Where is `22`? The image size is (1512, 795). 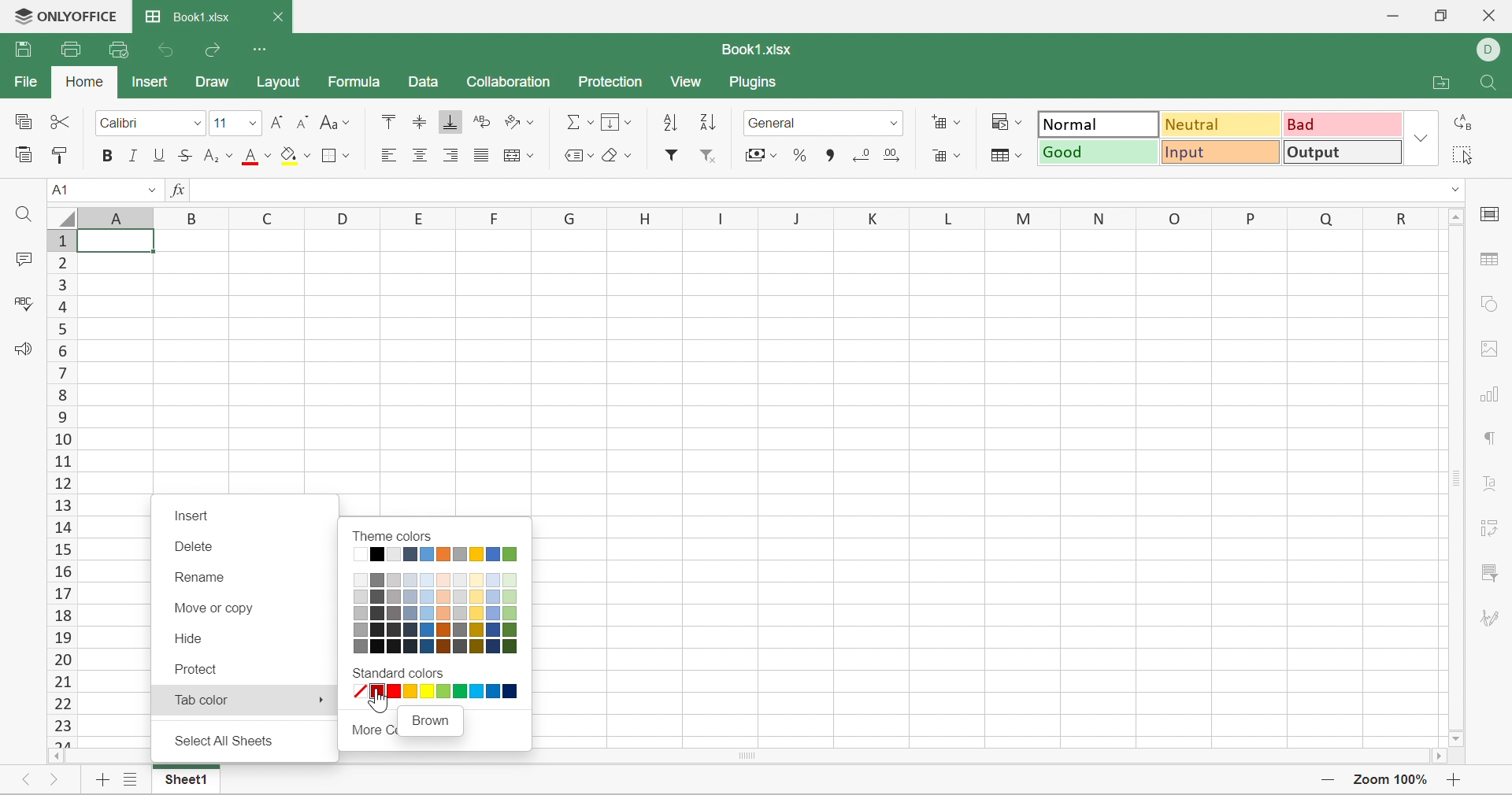 22 is located at coordinates (63, 704).